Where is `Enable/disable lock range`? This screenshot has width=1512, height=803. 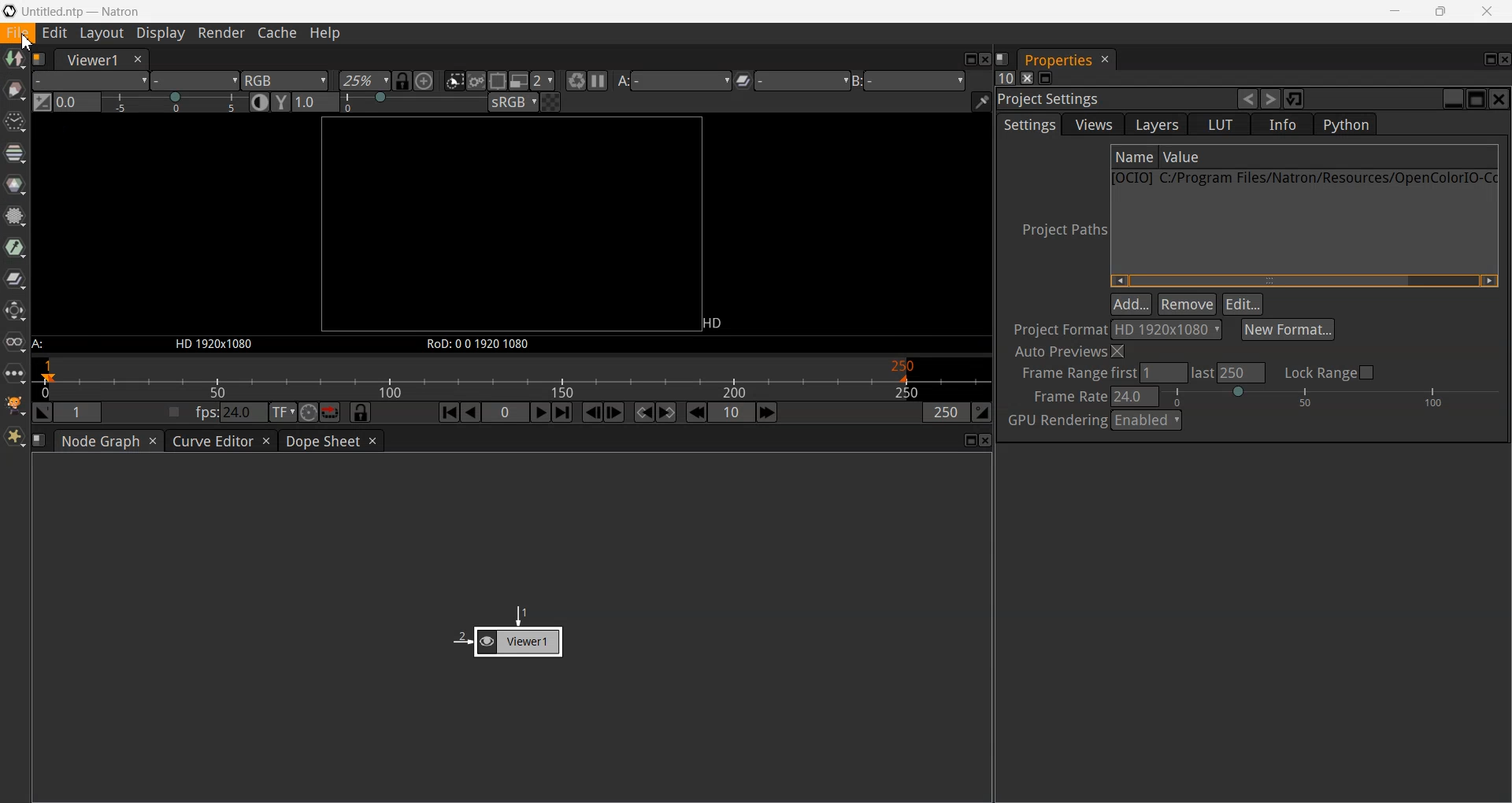 Enable/disable lock range is located at coordinates (1332, 372).